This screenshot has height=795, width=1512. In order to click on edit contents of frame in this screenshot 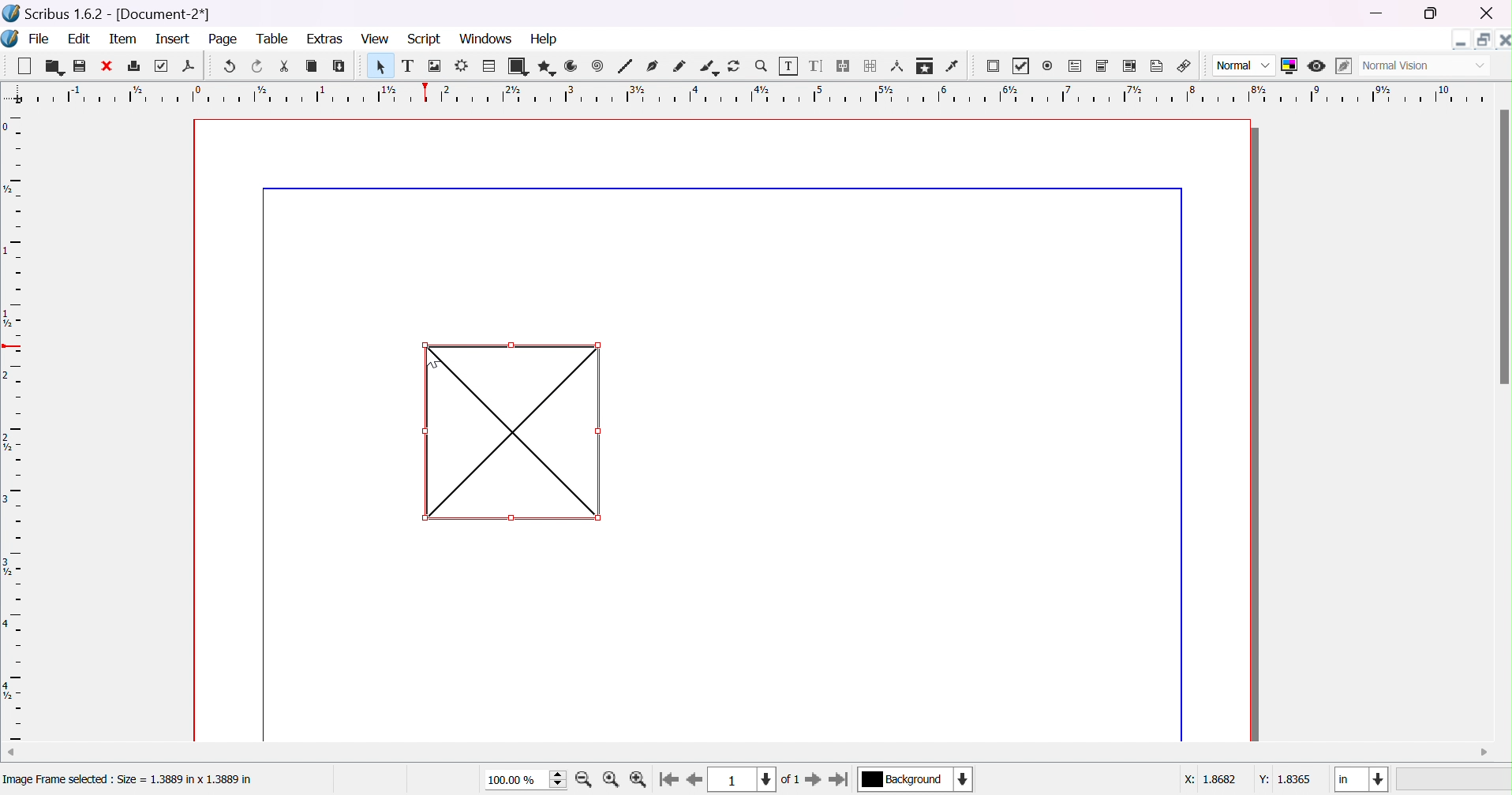, I will do `click(788, 64)`.